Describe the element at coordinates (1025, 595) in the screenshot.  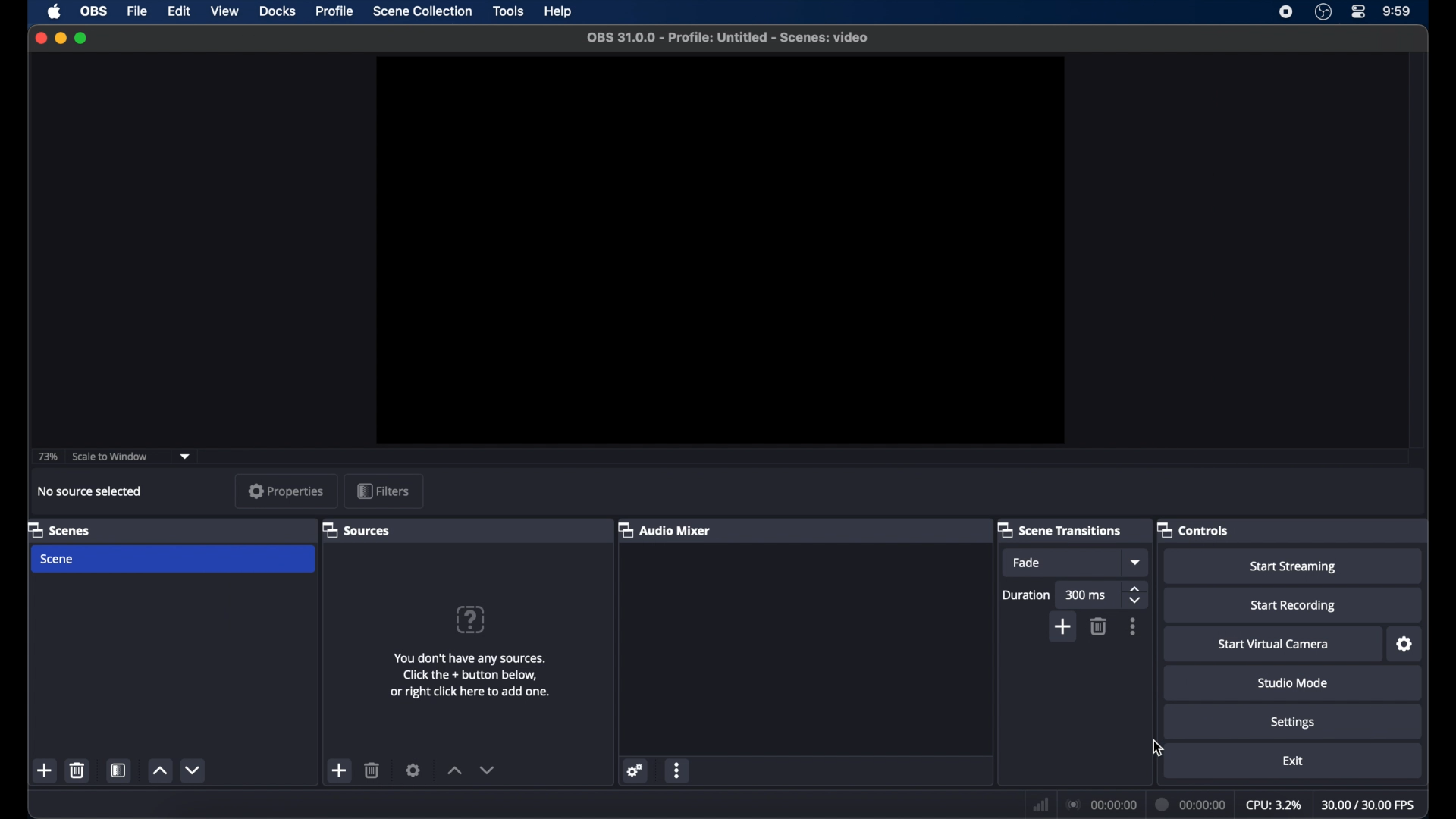
I see `duration` at that location.